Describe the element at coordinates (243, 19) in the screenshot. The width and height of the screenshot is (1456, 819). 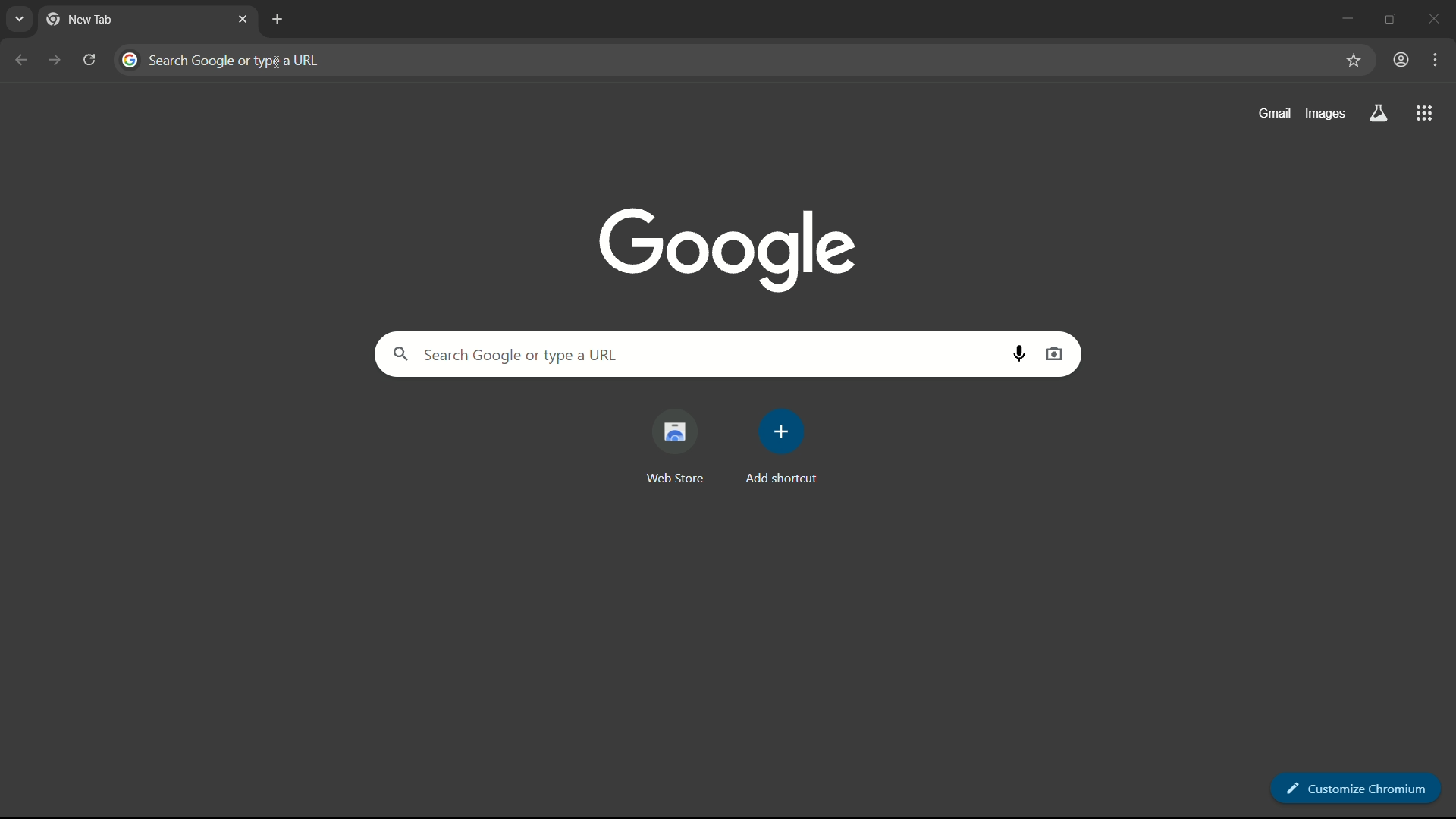
I see `close` at that location.